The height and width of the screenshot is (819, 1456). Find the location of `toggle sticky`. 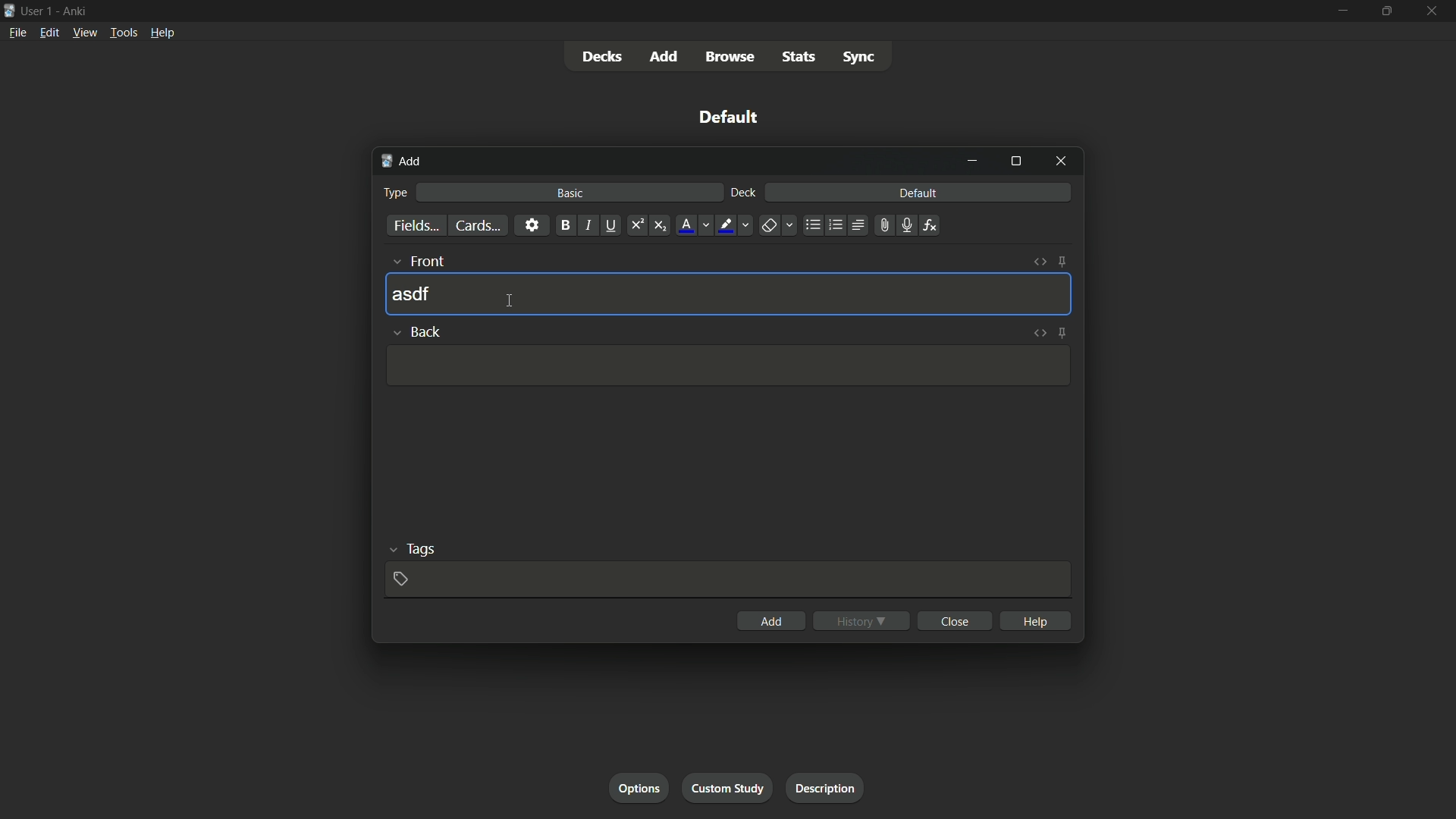

toggle sticky is located at coordinates (1062, 331).